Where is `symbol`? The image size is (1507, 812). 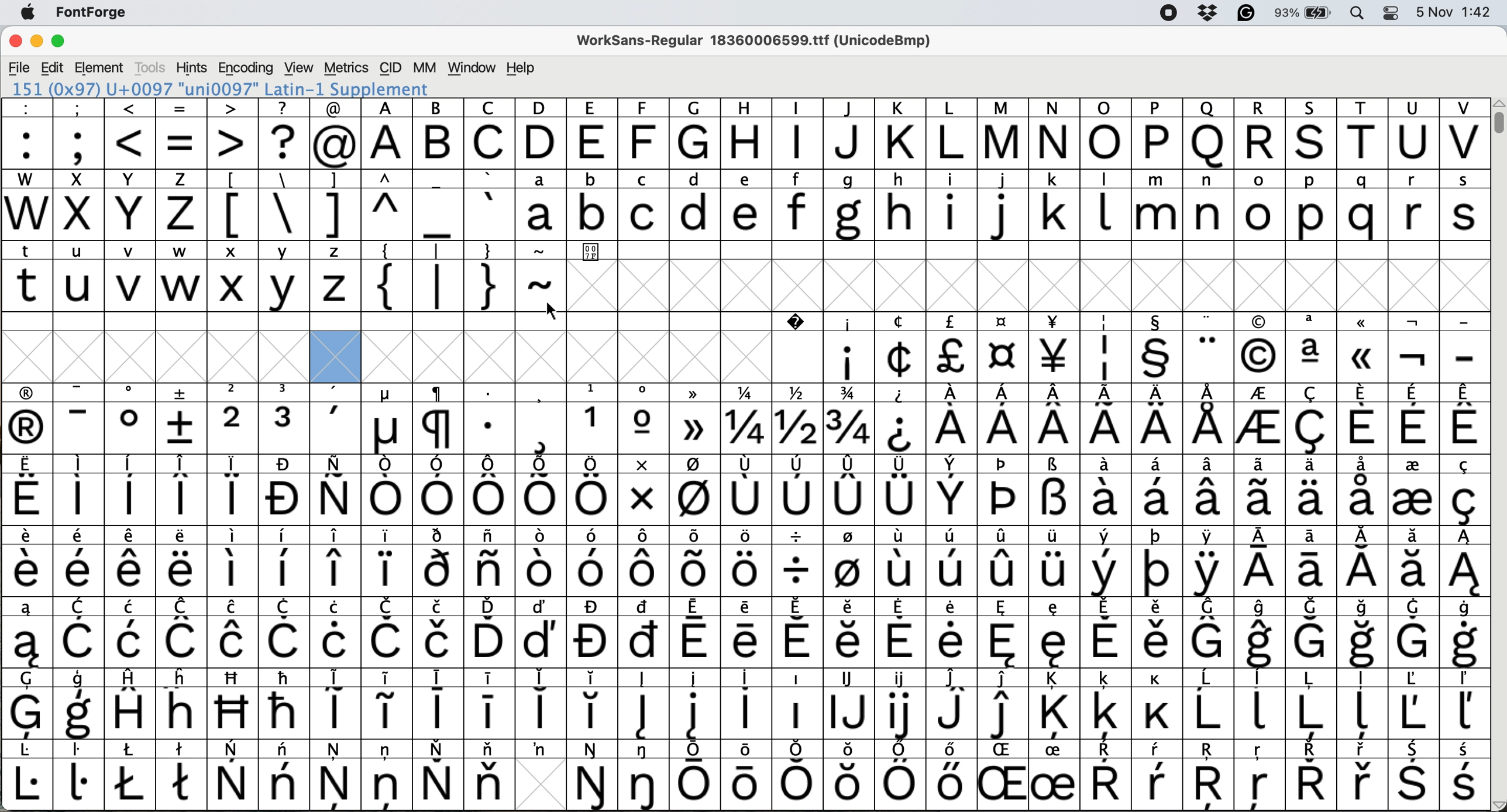
symbol is located at coordinates (592, 703).